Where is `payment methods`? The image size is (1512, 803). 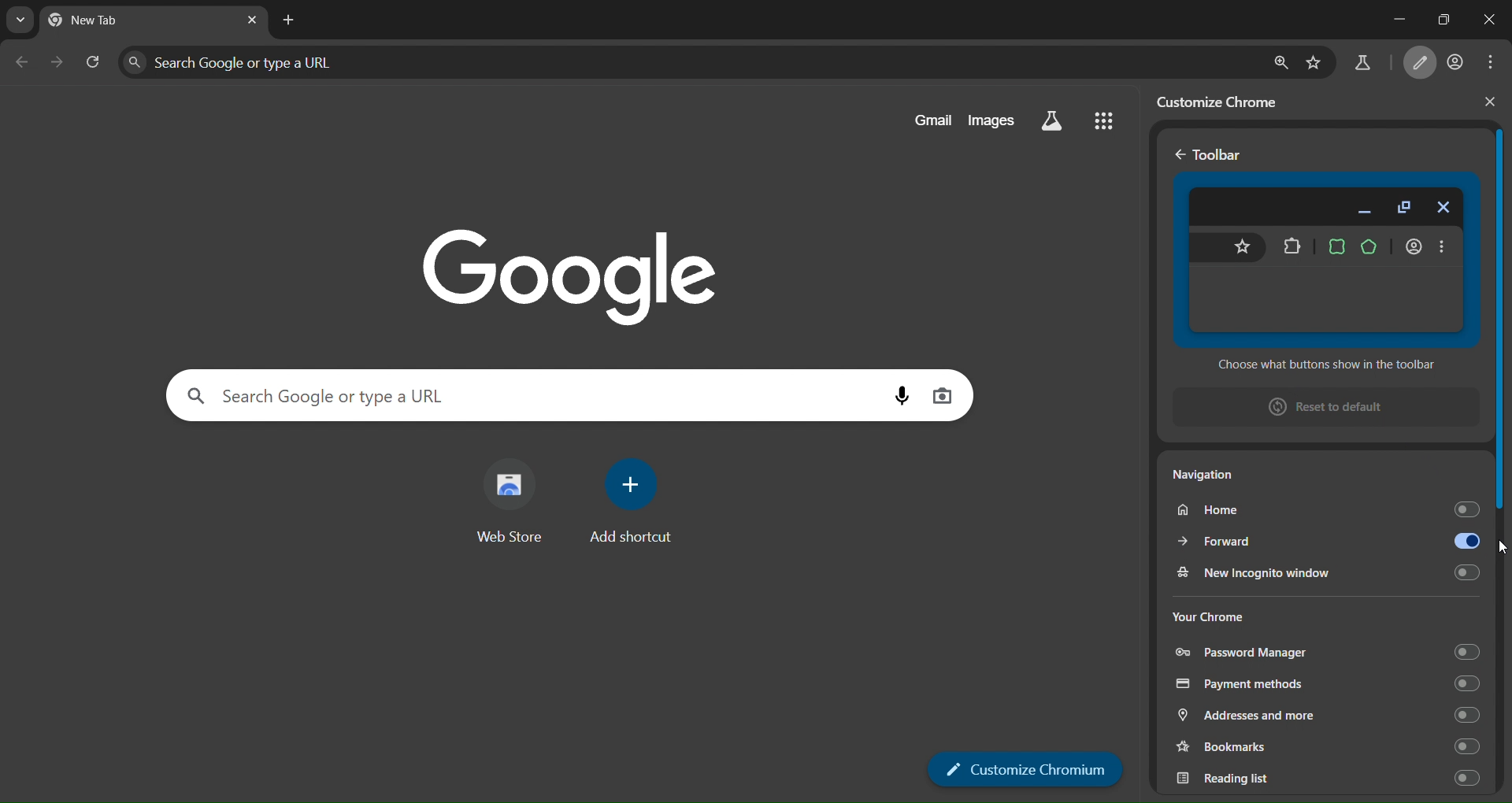 payment methods is located at coordinates (1325, 684).